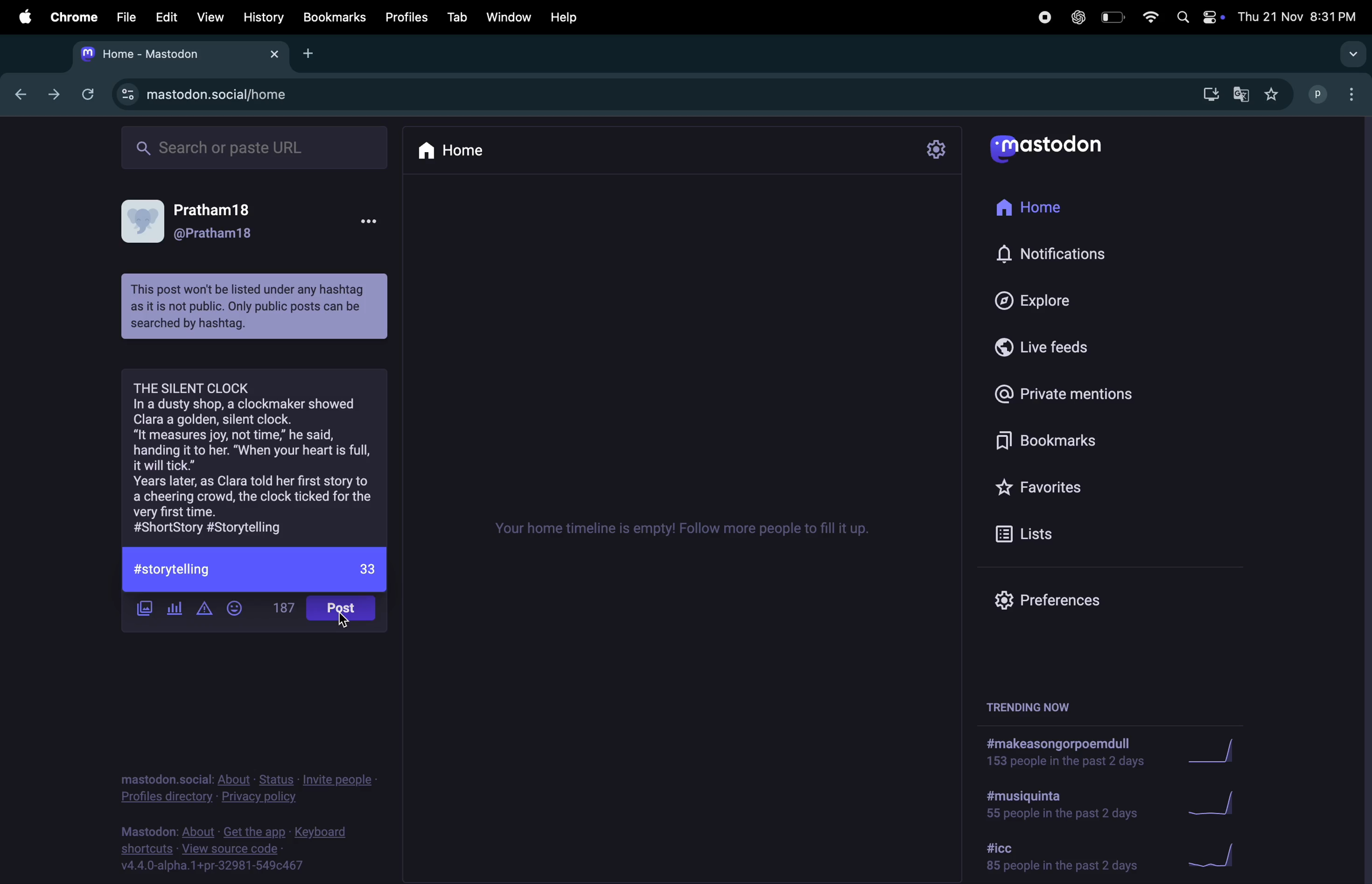 This screenshot has width=1372, height=884. What do you see at coordinates (1040, 15) in the screenshot?
I see `record` at bounding box center [1040, 15].